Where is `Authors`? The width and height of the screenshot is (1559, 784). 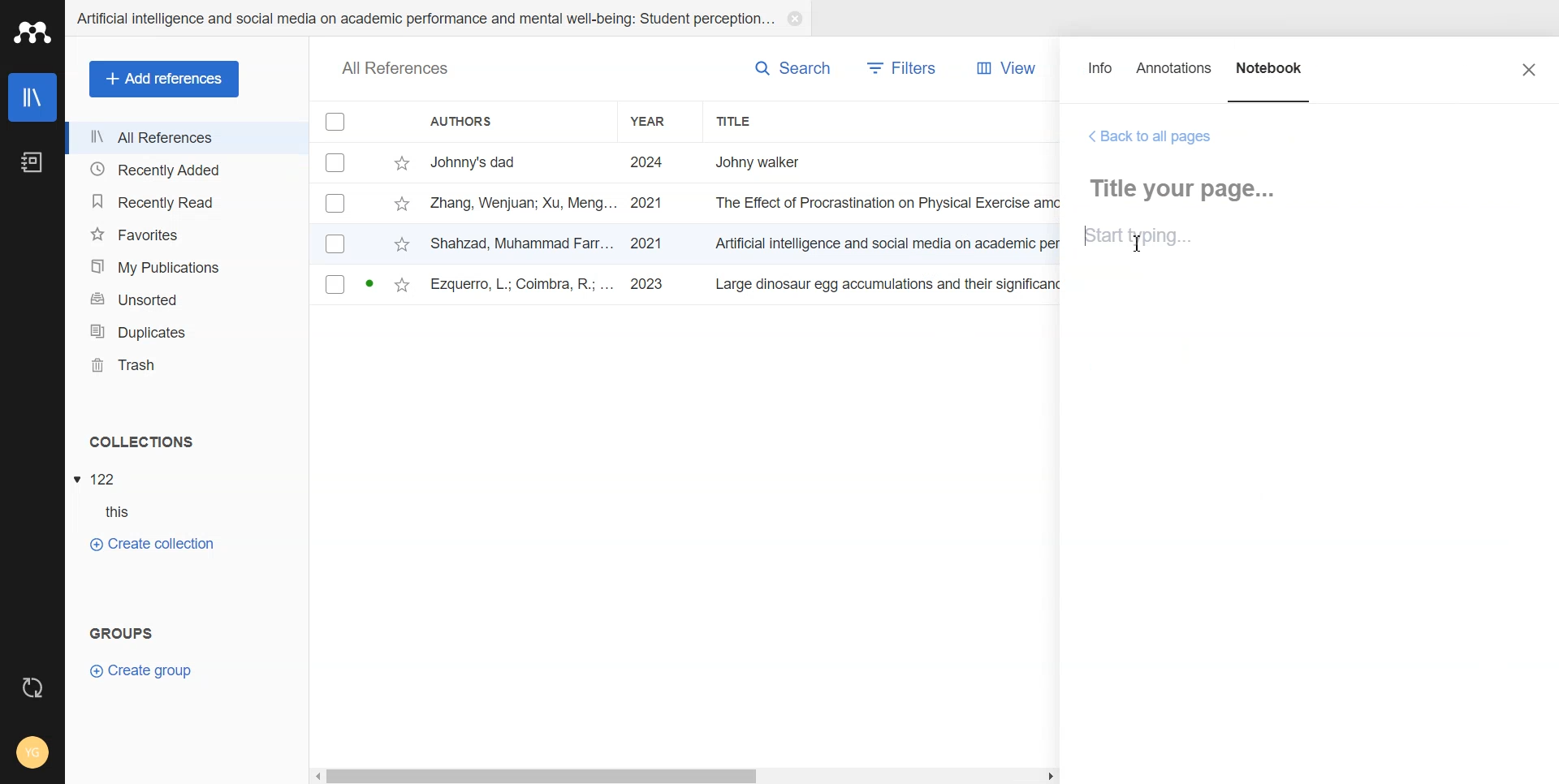
Authors is located at coordinates (514, 121).